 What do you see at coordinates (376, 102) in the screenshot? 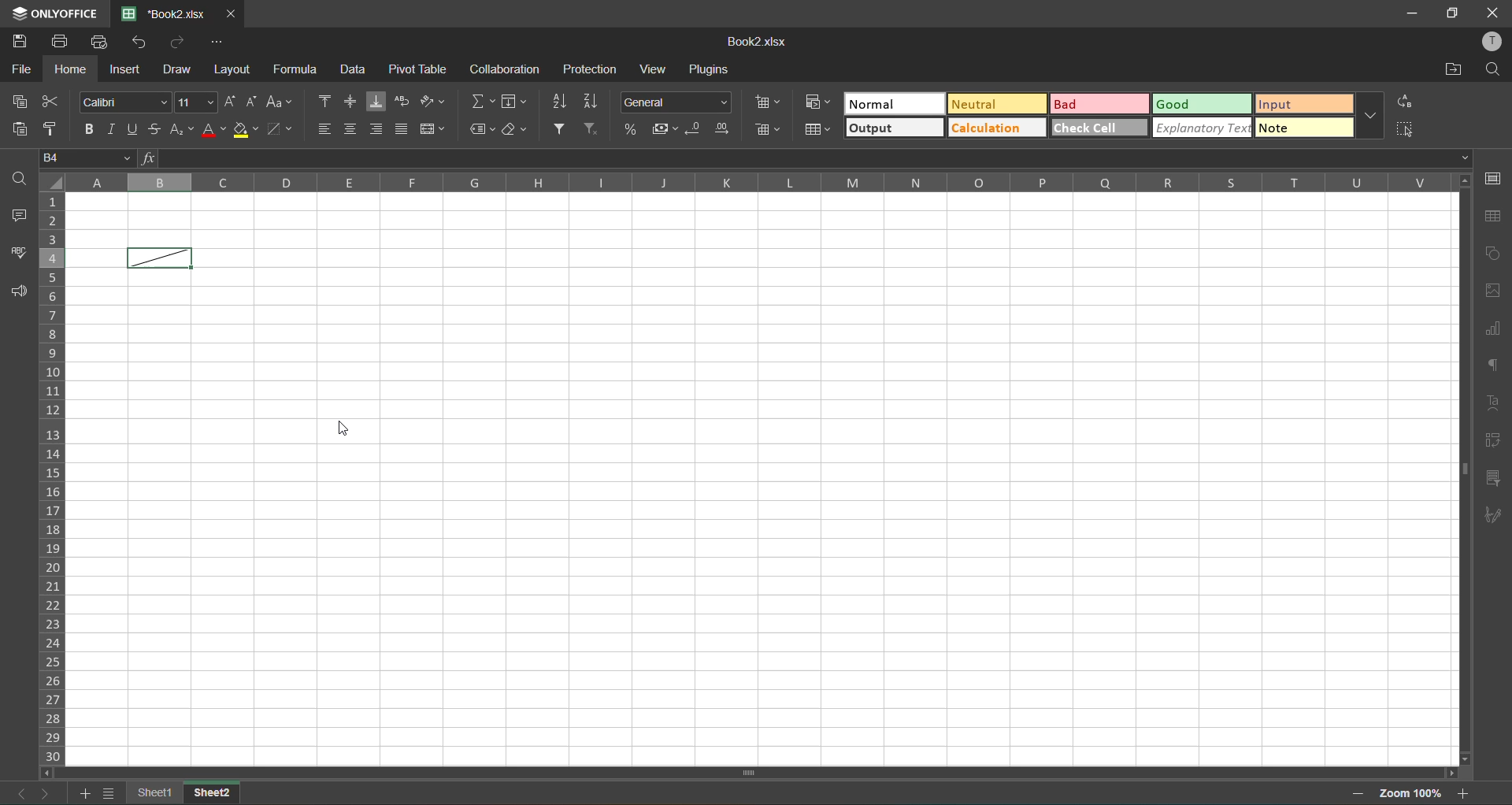
I see `align bottom` at bounding box center [376, 102].